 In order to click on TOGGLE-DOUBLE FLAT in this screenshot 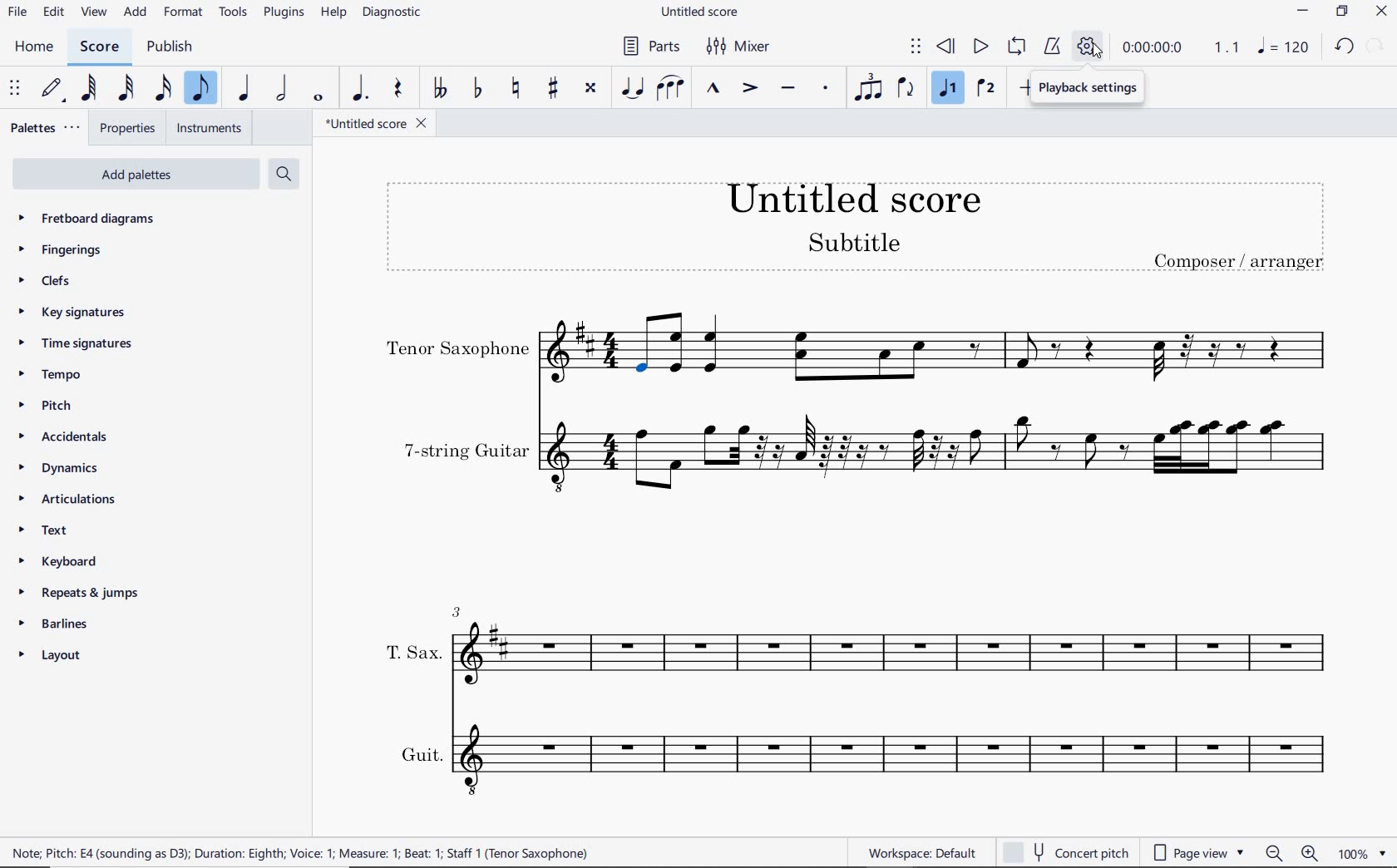, I will do `click(439, 90)`.